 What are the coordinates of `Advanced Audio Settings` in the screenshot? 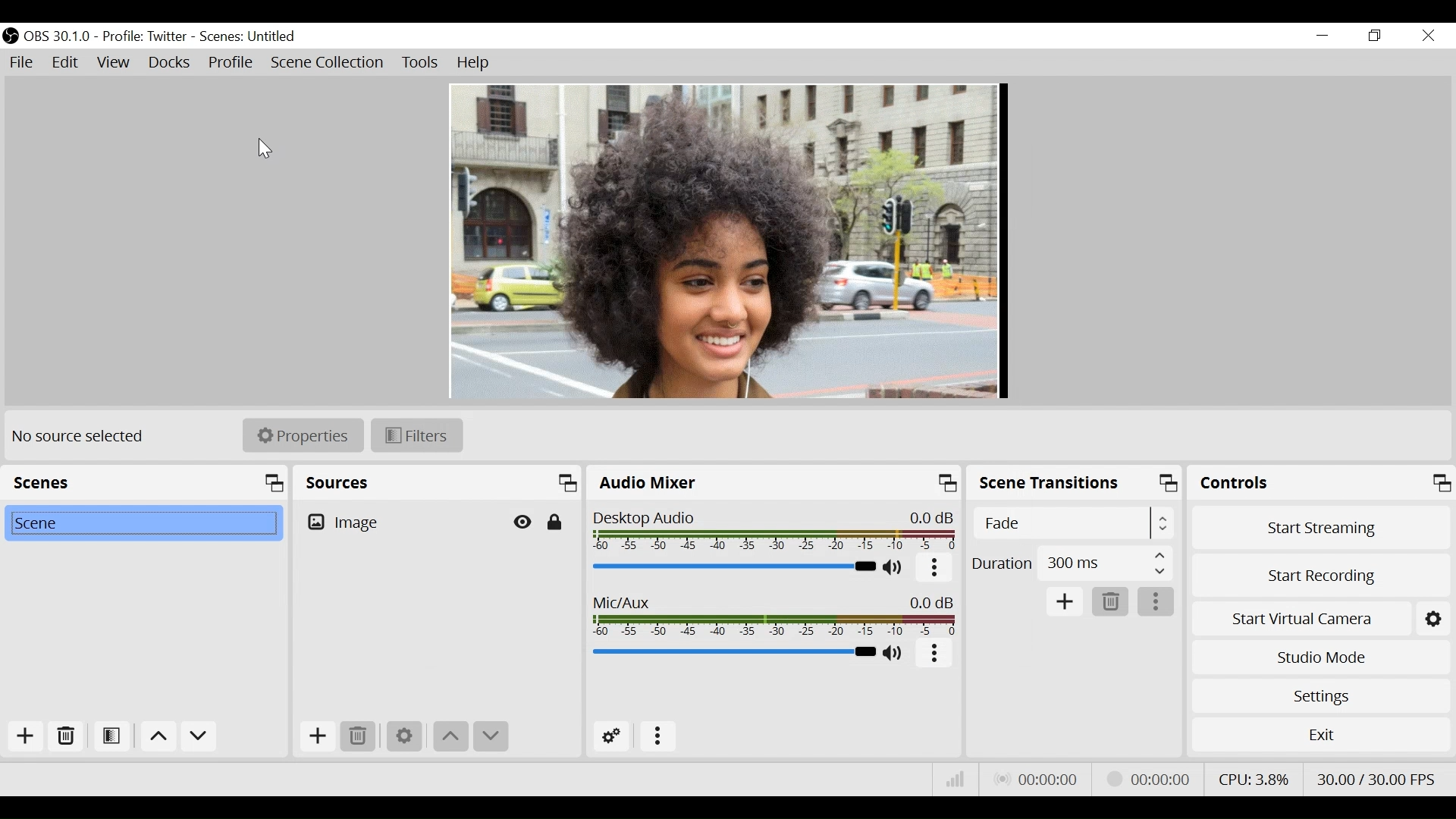 It's located at (613, 736).